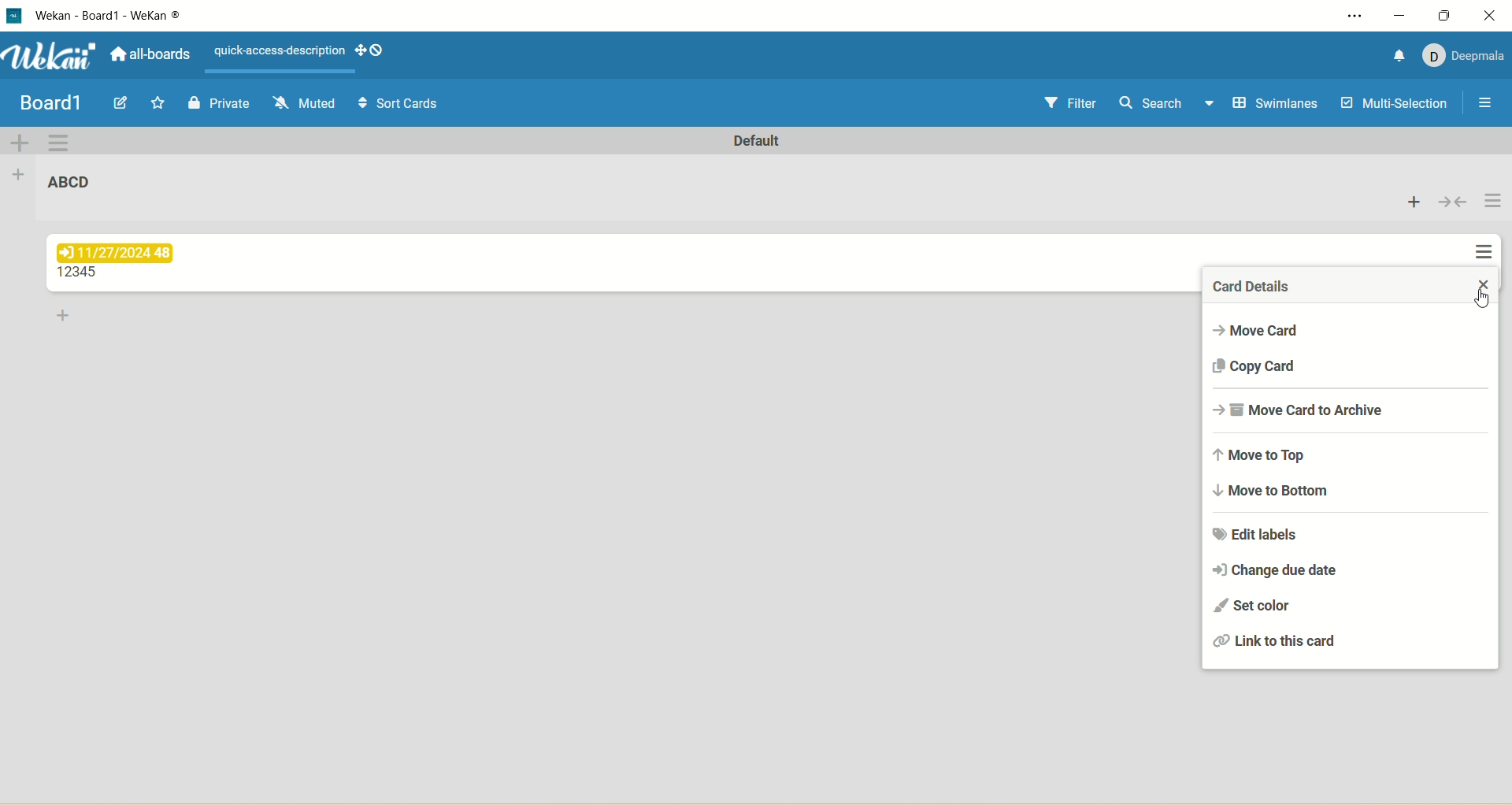 The width and height of the screenshot is (1512, 805). I want to click on show-desktop-drag-, so click(370, 50).